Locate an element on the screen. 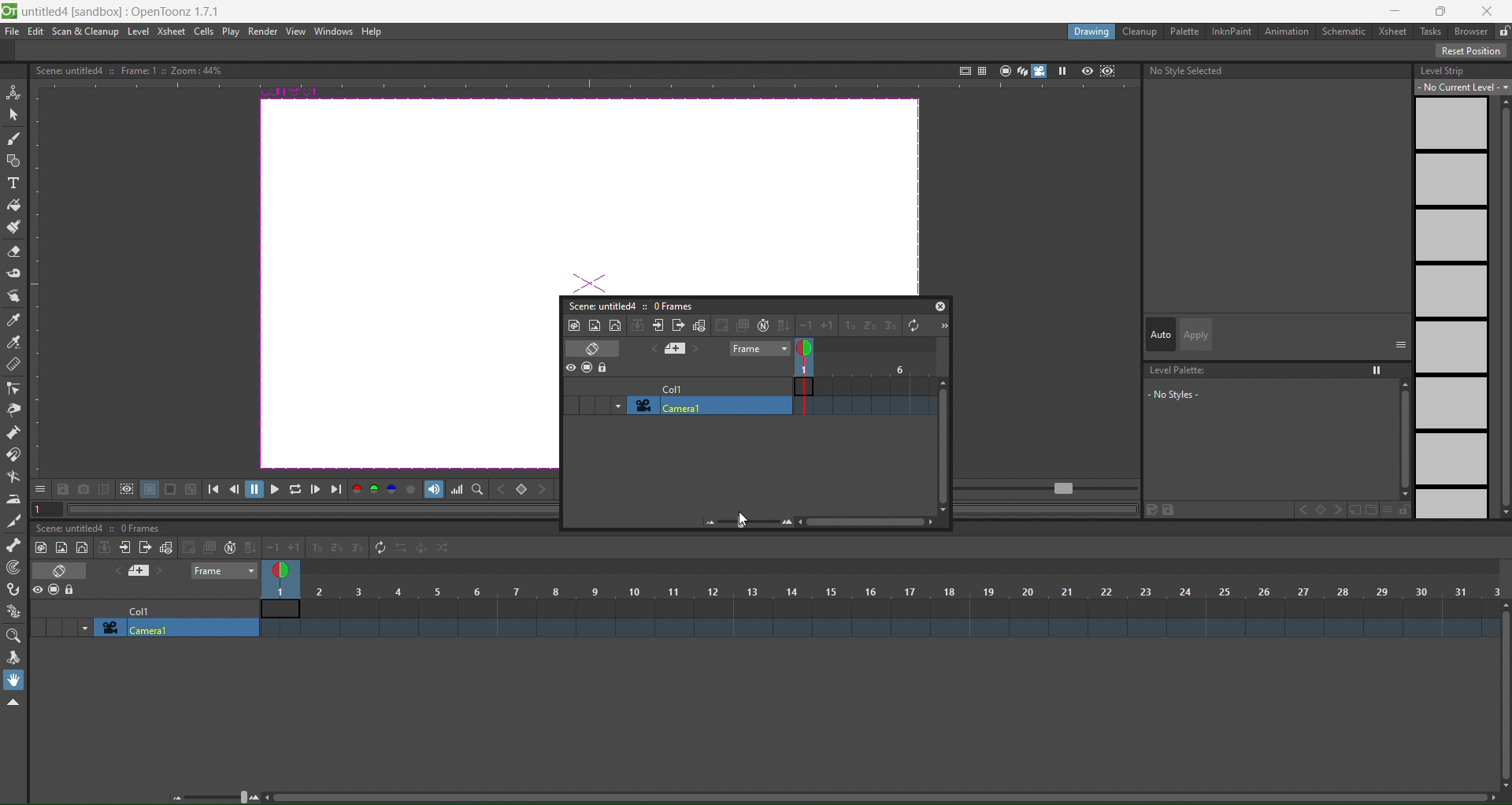  animation tool is located at coordinates (13, 91).